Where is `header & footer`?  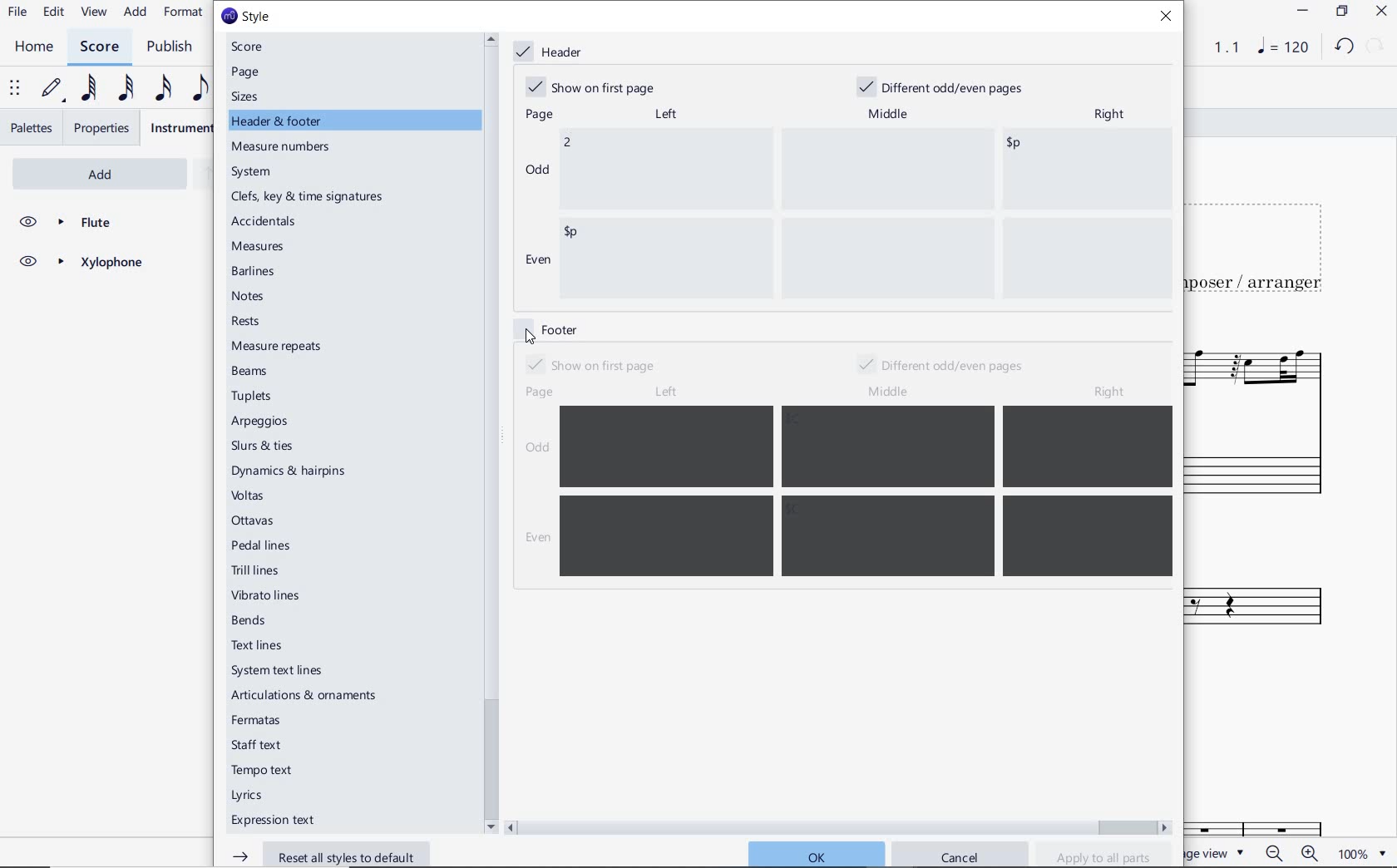 header & footer is located at coordinates (279, 121).